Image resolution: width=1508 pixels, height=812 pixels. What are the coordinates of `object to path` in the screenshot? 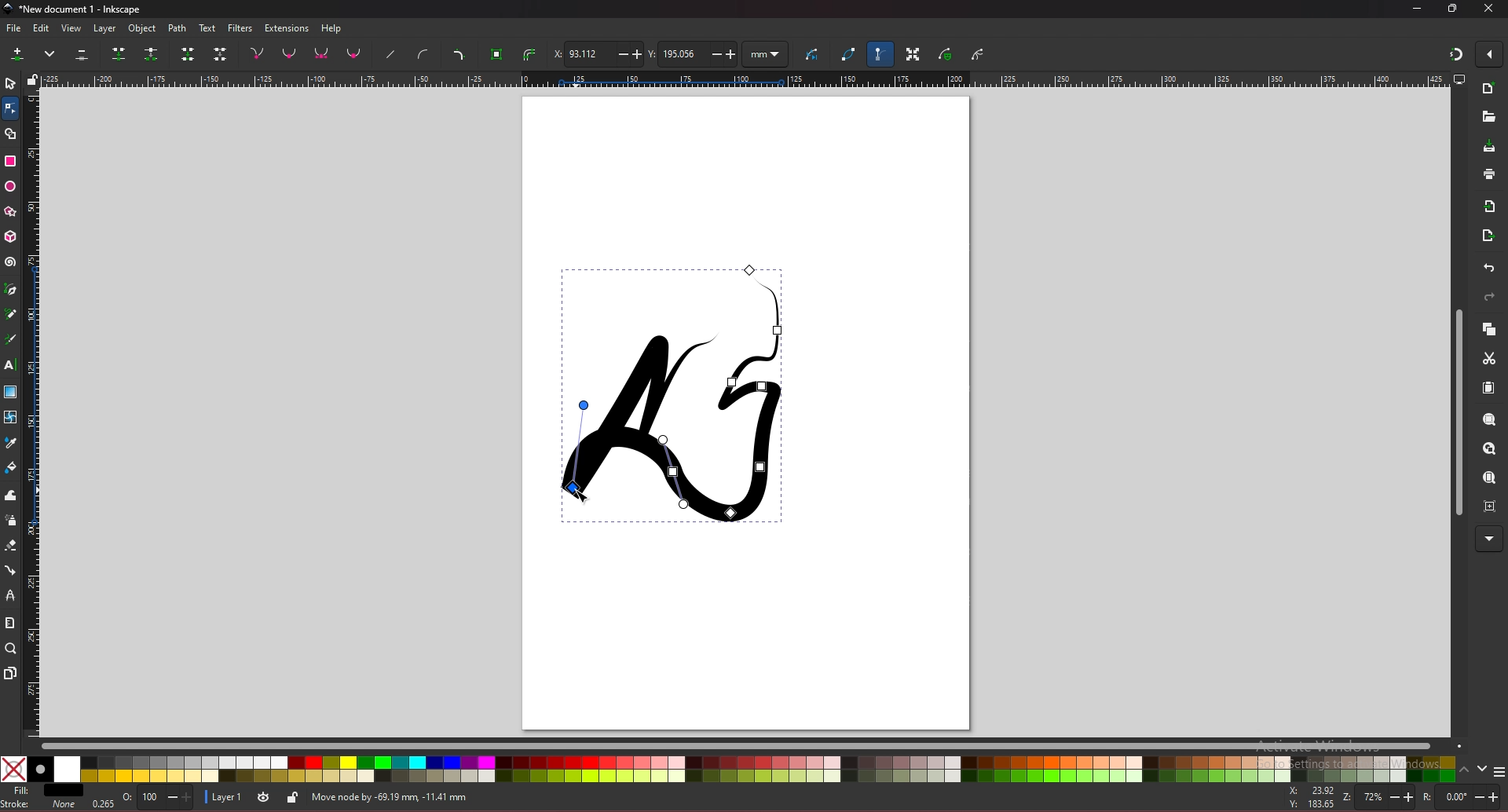 It's located at (499, 55).